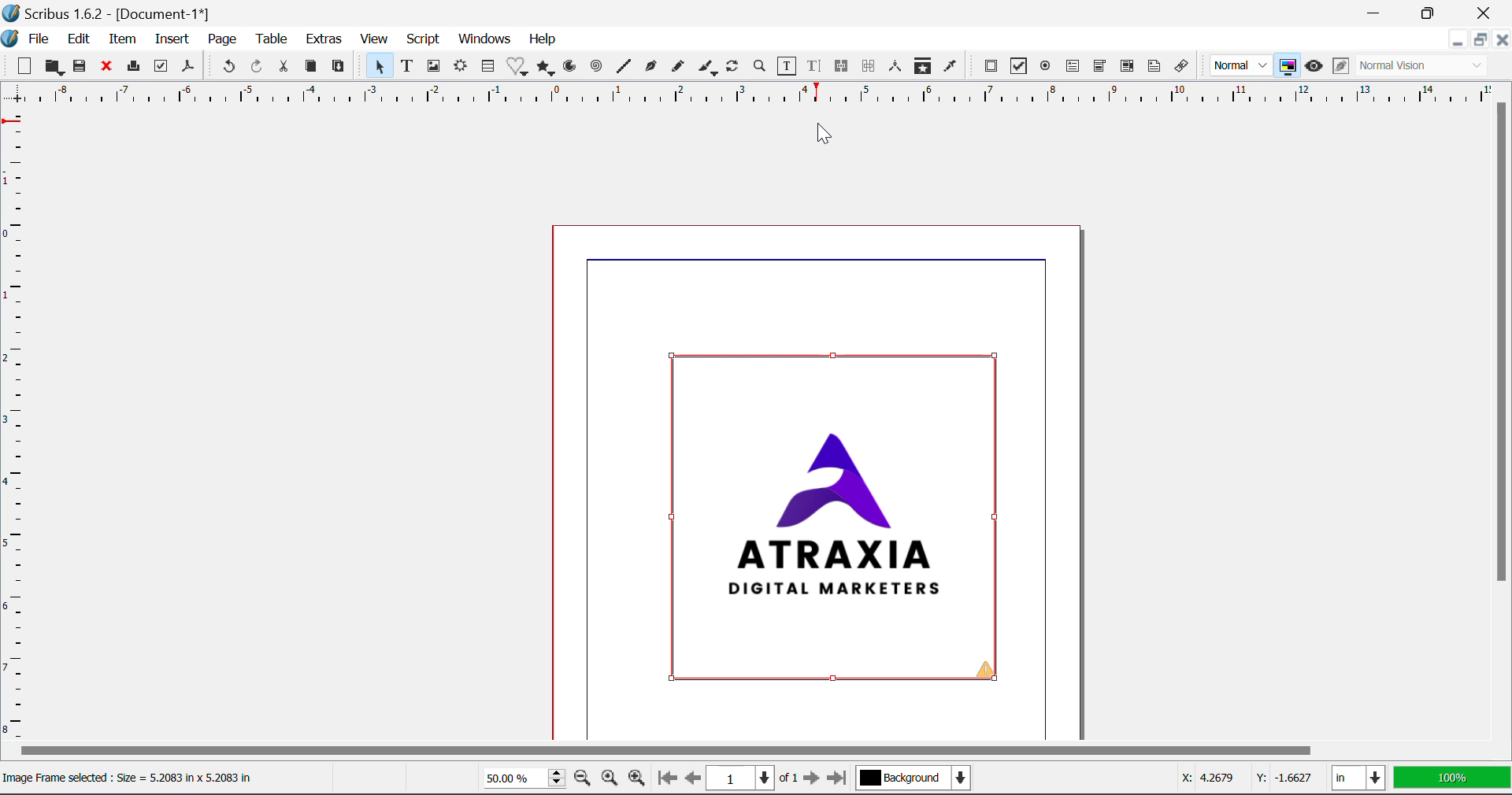  What do you see at coordinates (912, 775) in the screenshot?
I see `Page Background` at bounding box center [912, 775].